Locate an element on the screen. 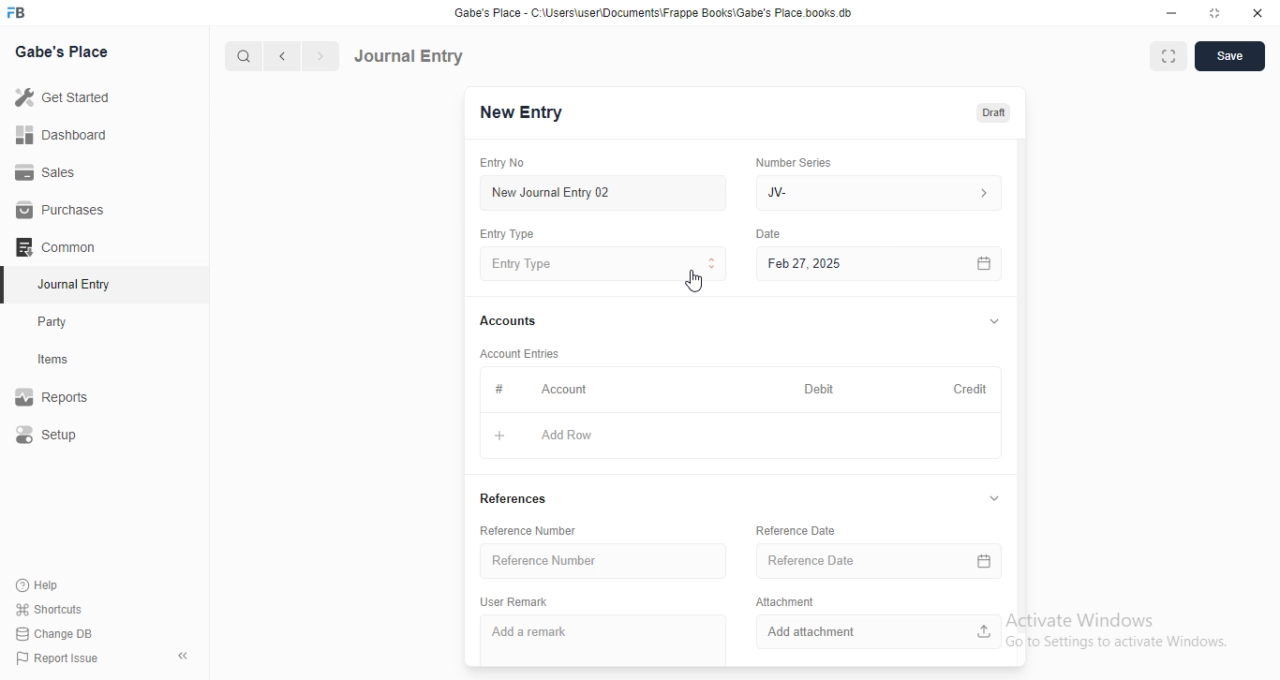  Minimize is located at coordinates (1172, 13).